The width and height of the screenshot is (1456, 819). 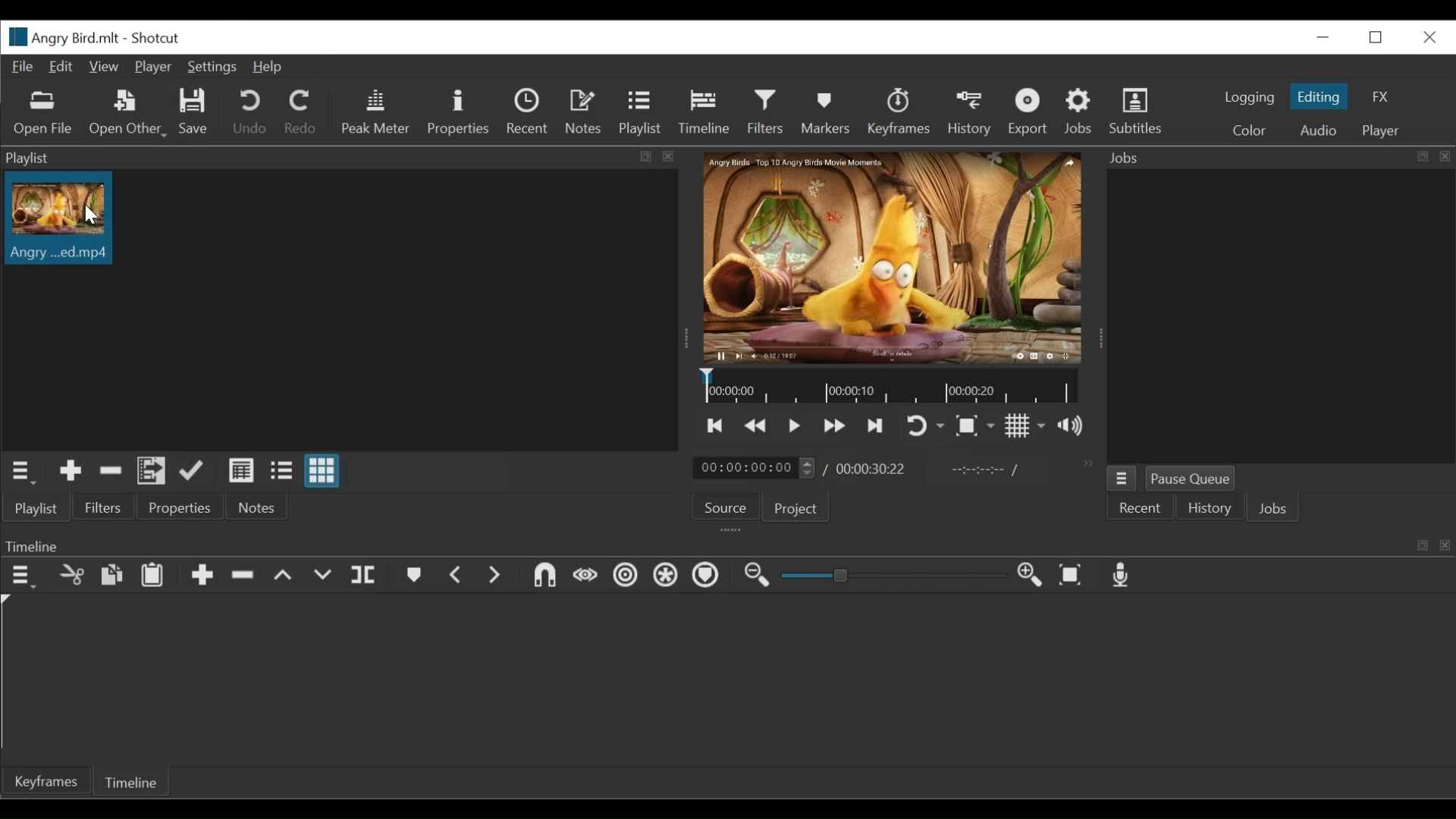 What do you see at coordinates (585, 575) in the screenshot?
I see `scrub wile dragging` at bounding box center [585, 575].